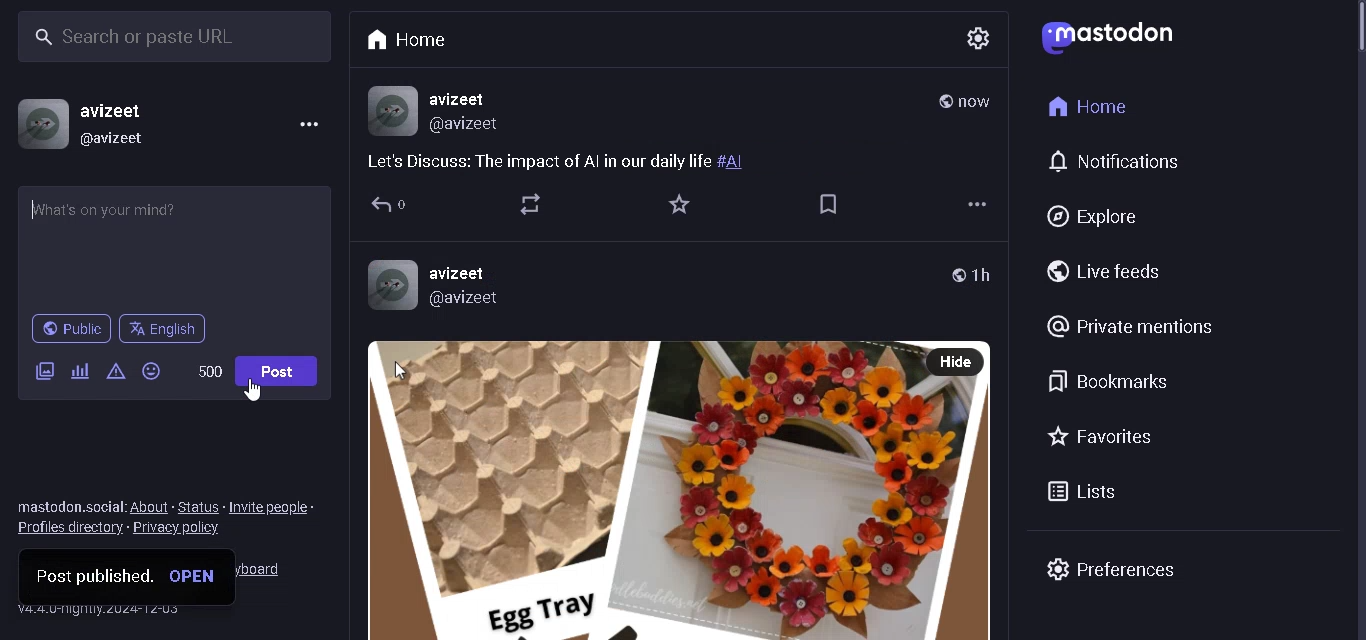 Image resolution: width=1366 pixels, height=640 pixels. What do you see at coordinates (468, 99) in the screenshot?
I see `username` at bounding box center [468, 99].